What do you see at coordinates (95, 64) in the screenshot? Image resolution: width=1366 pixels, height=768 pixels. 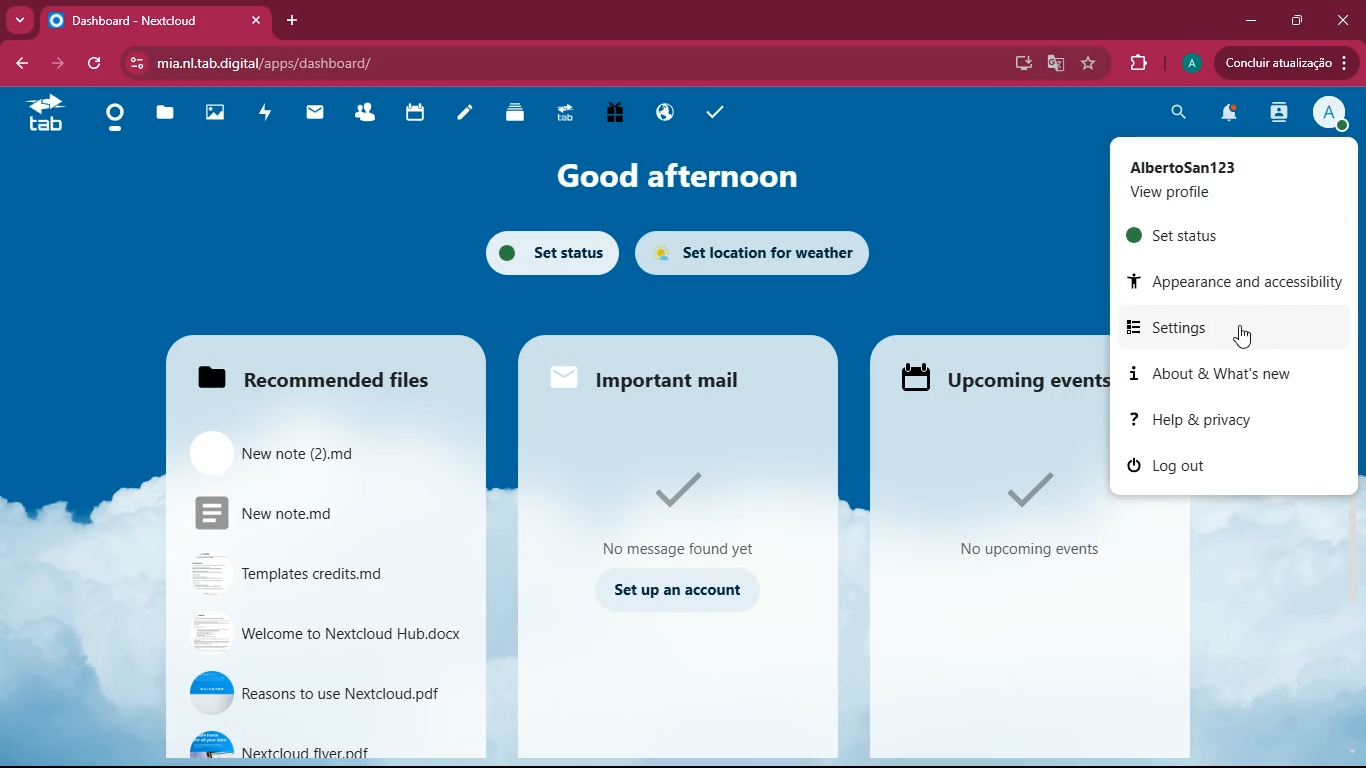 I see `refresh` at bounding box center [95, 64].